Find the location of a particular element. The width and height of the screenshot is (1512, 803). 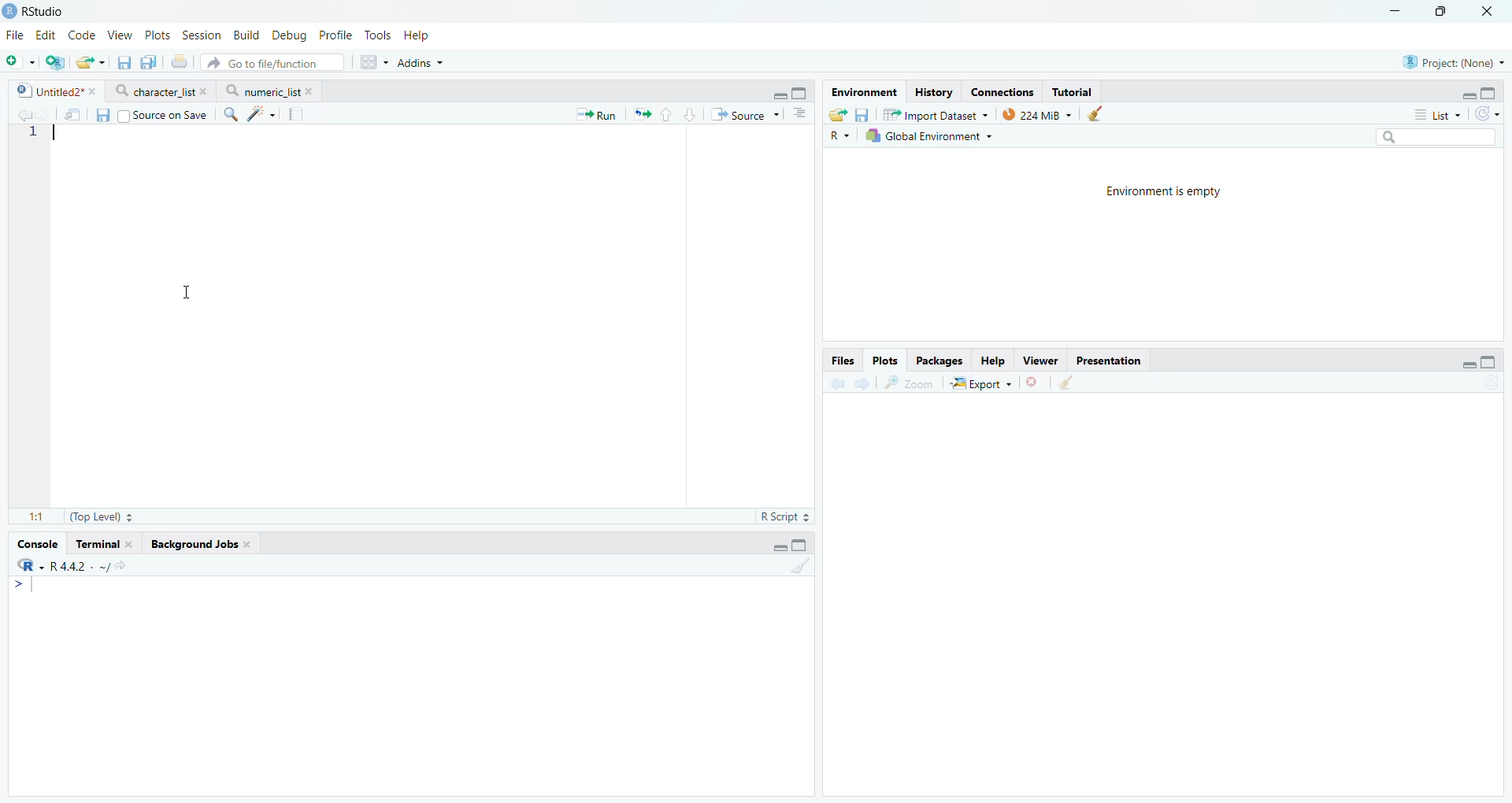

Open existing file is located at coordinates (89, 62).